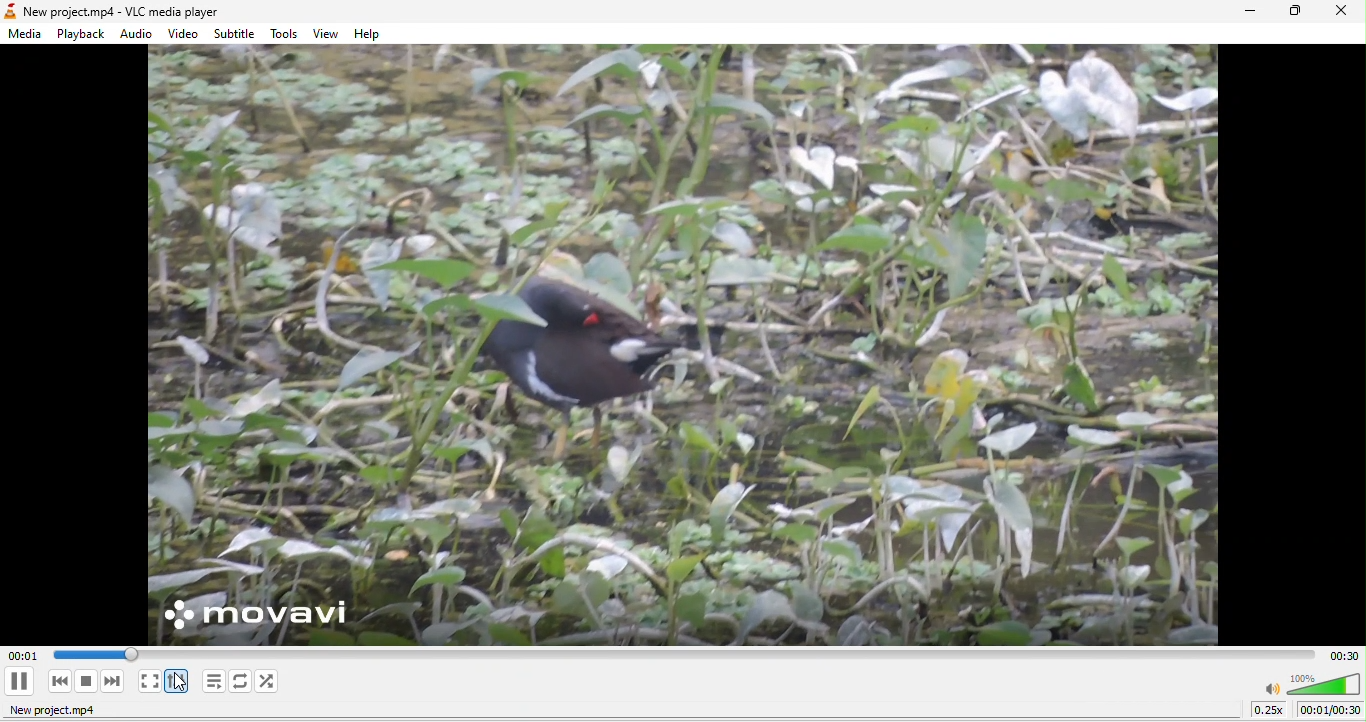 This screenshot has height=722, width=1366. I want to click on view, so click(324, 34).